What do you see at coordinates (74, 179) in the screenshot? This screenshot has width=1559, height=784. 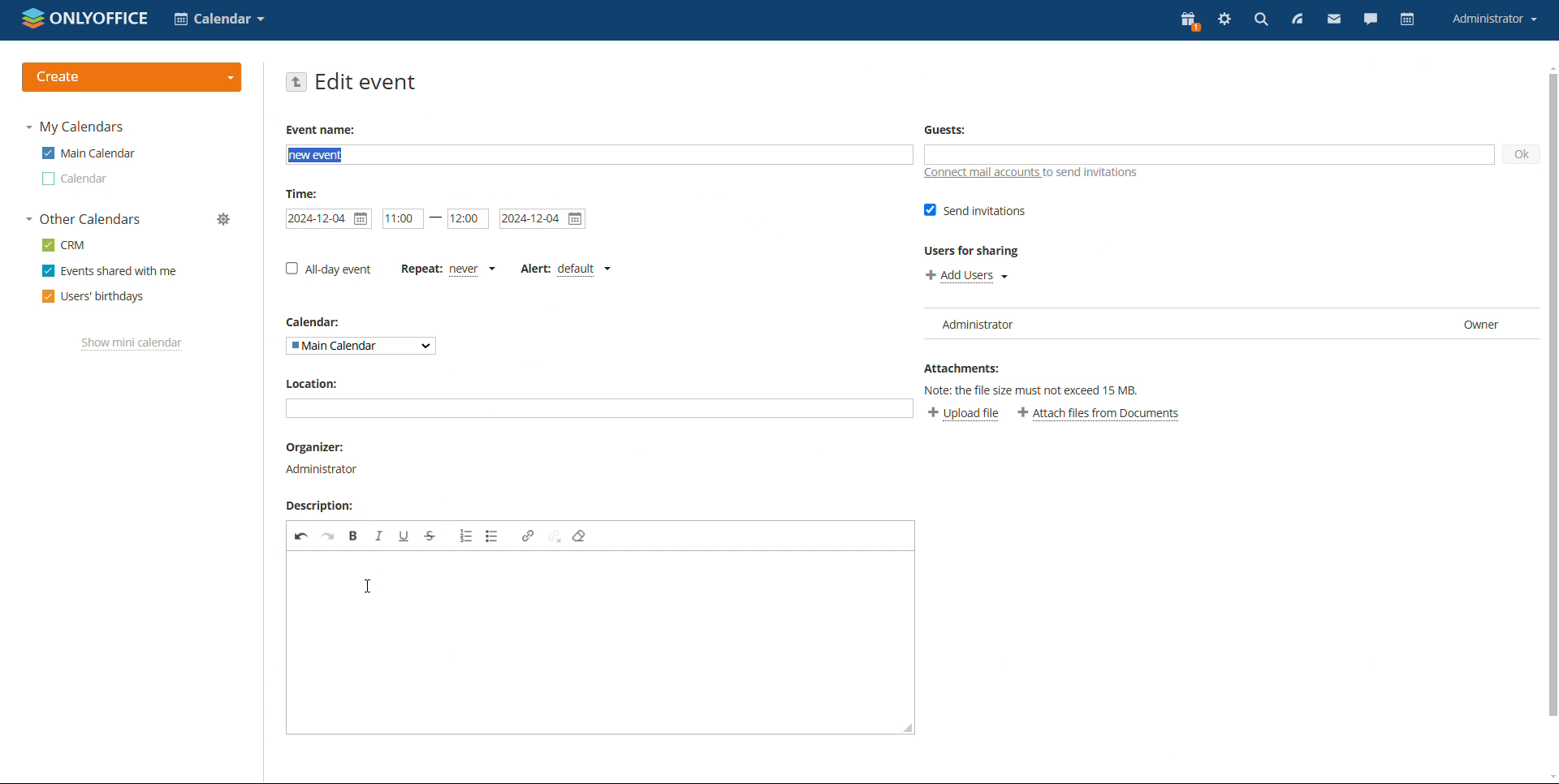 I see `calendar` at bounding box center [74, 179].